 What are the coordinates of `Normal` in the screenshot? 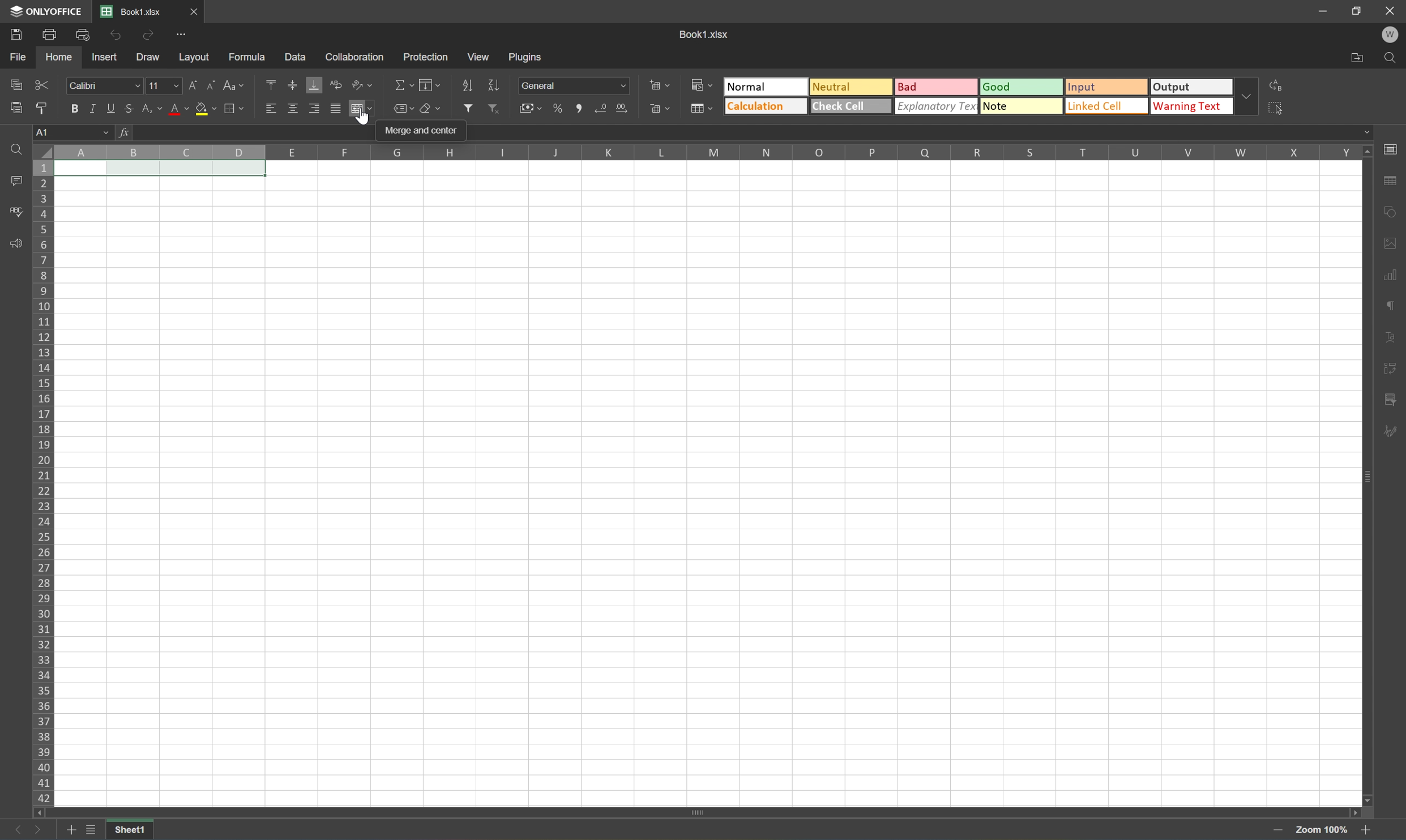 It's located at (767, 87).